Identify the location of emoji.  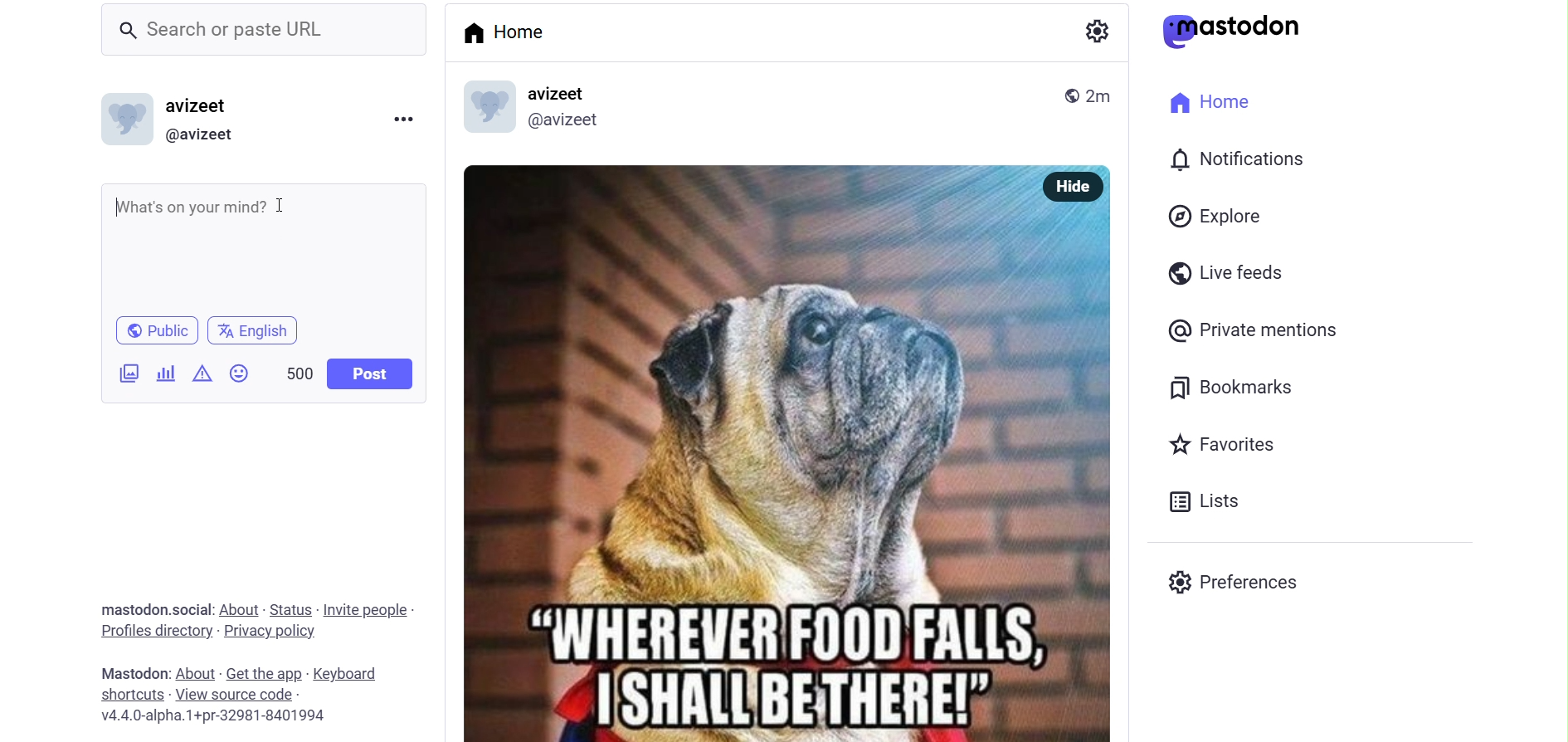
(237, 373).